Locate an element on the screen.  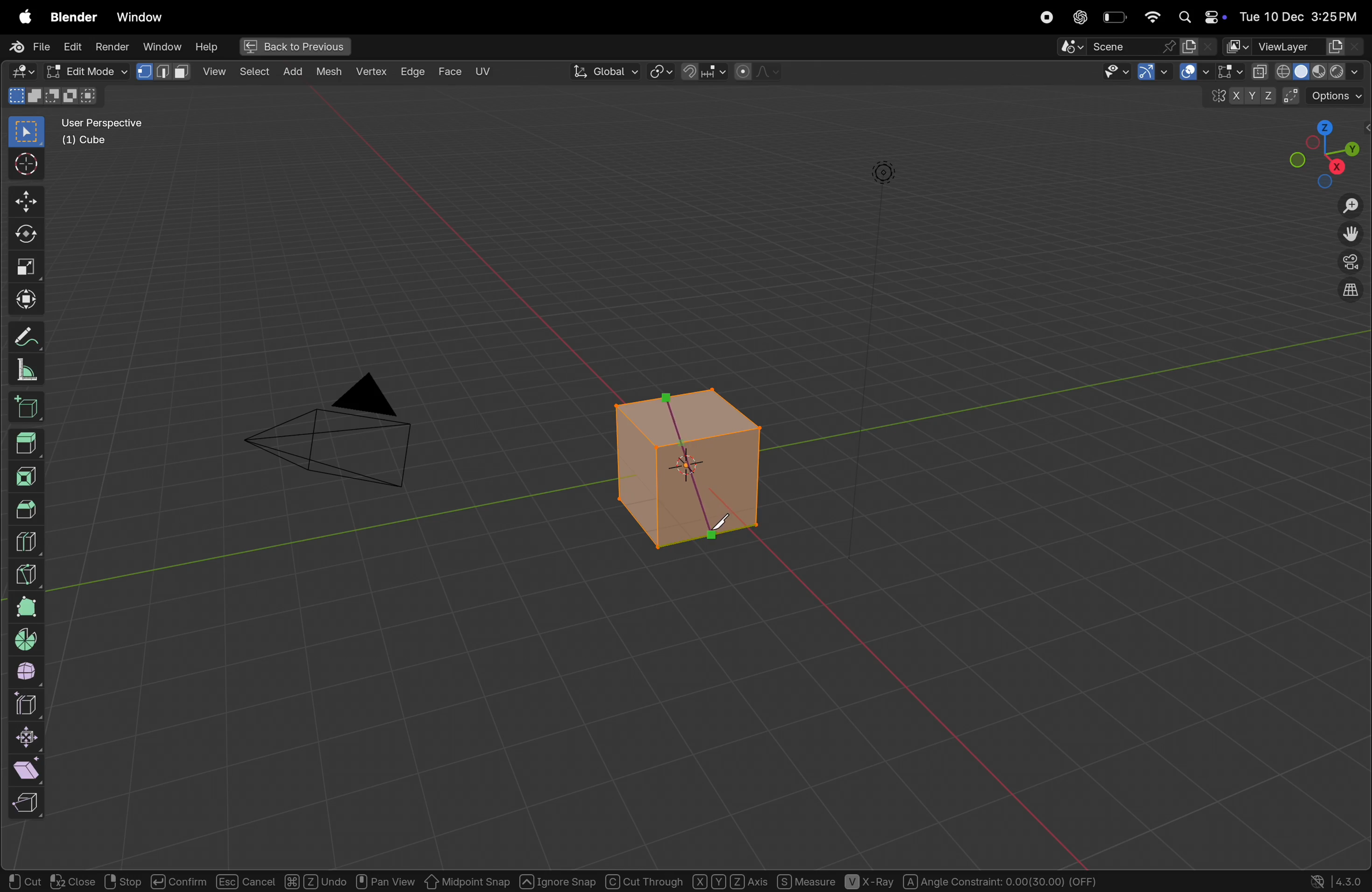
Axis is located at coordinates (729, 880).